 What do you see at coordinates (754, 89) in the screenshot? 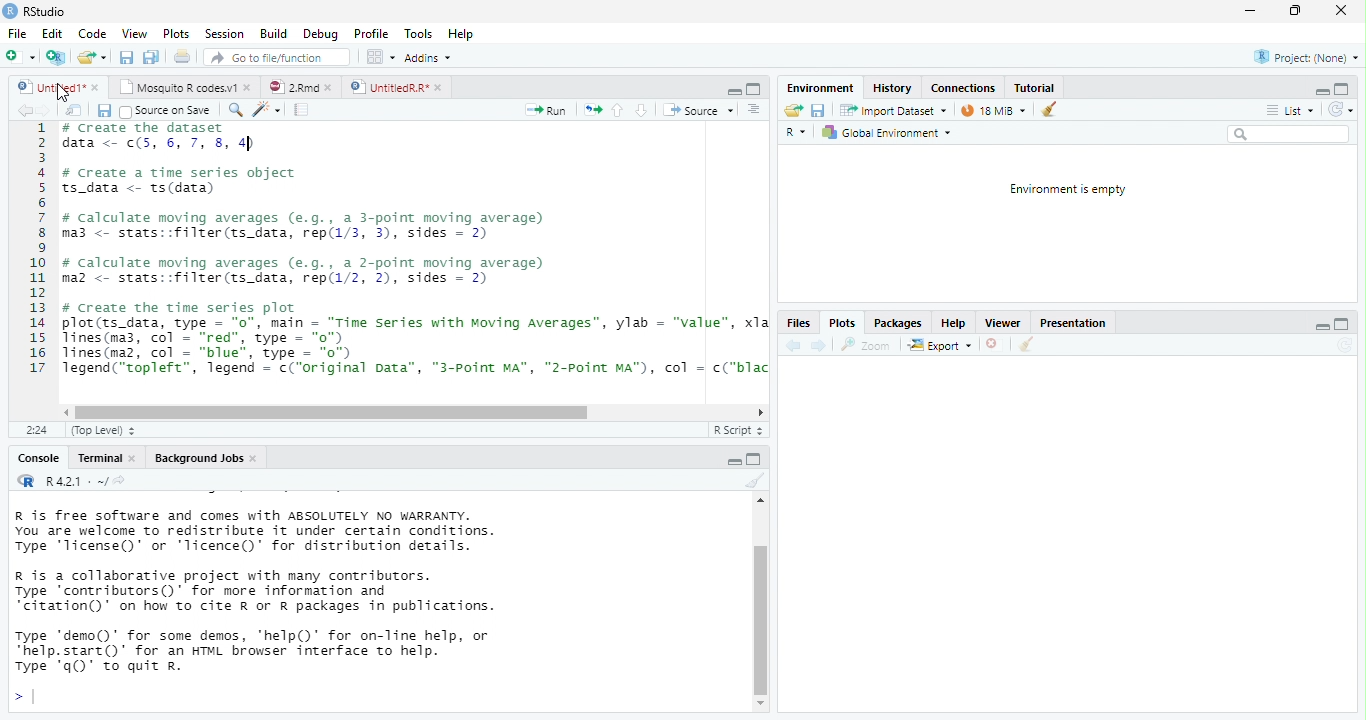
I see `maximize` at bounding box center [754, 89].